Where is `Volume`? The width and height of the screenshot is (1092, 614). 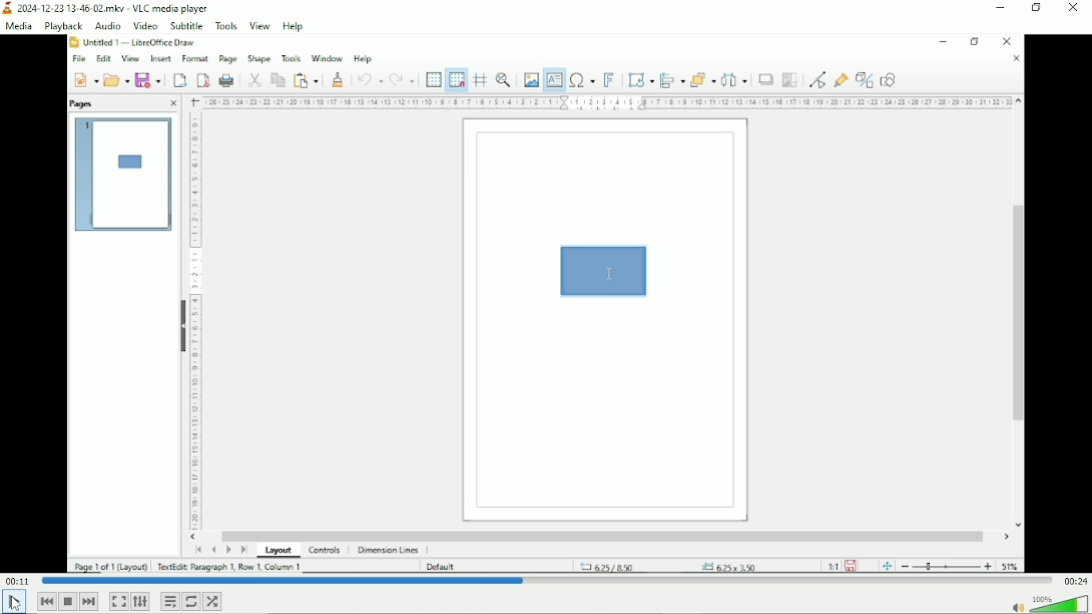 Volume is located at coordinates (1048, 603).